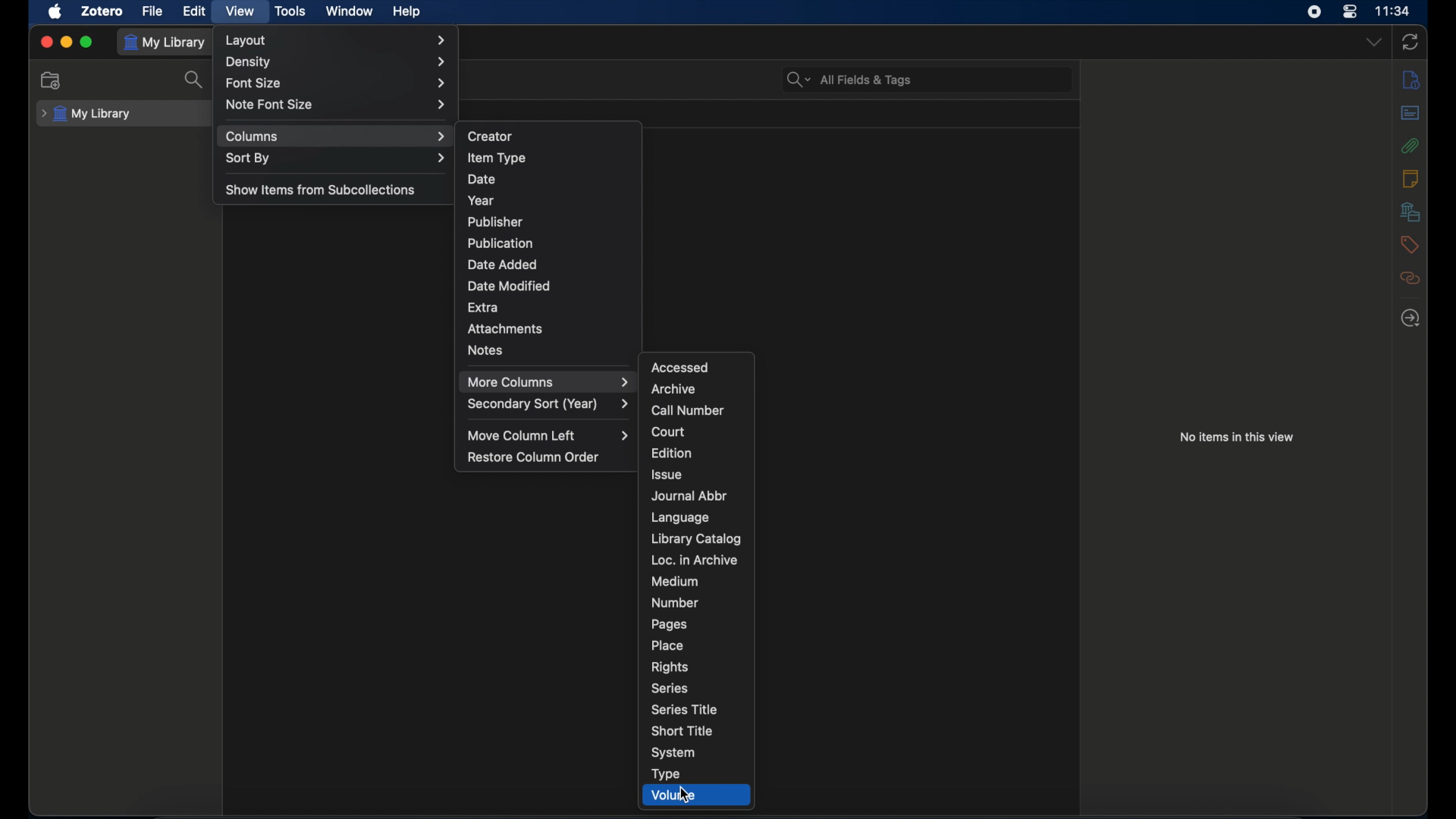 The image size is (1456, 819). I want to click on date added, so click(504, 265).